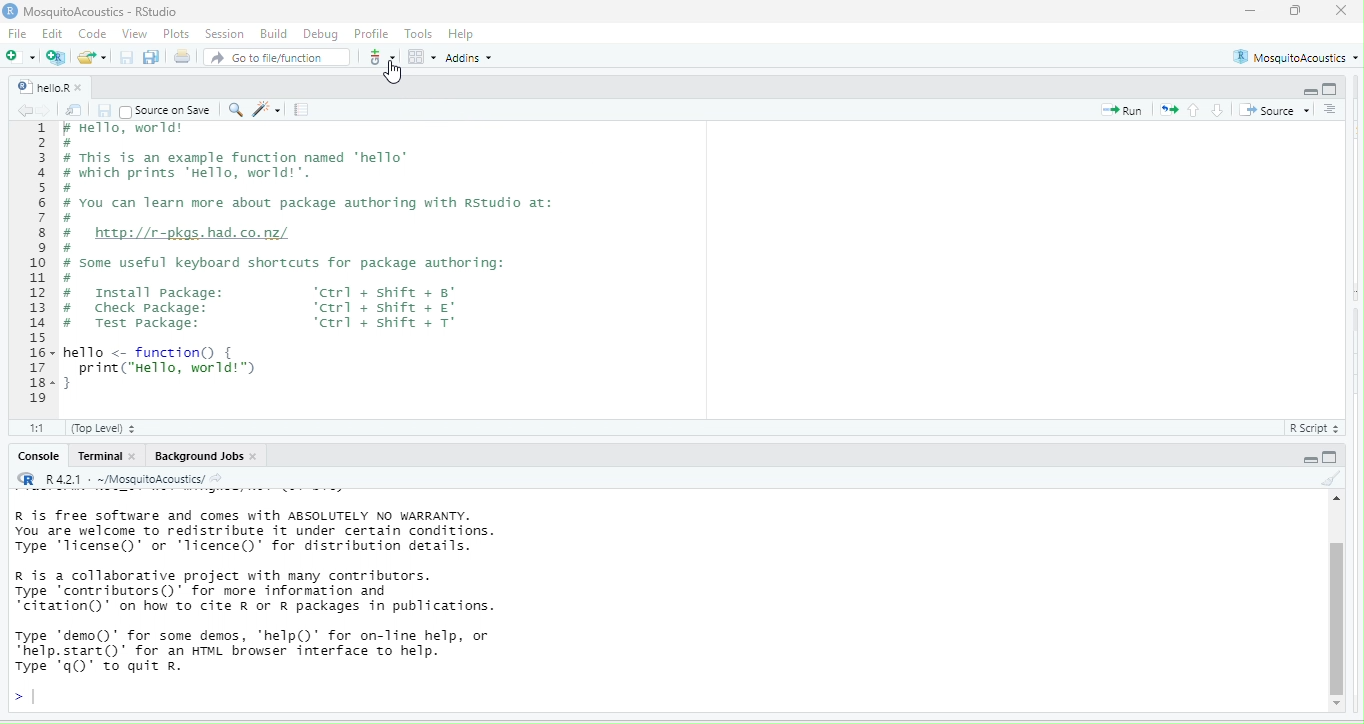  What do you see at coordinates (53, 34) in the screenshot?
I see `Edit` at bounding box center [53, 34].